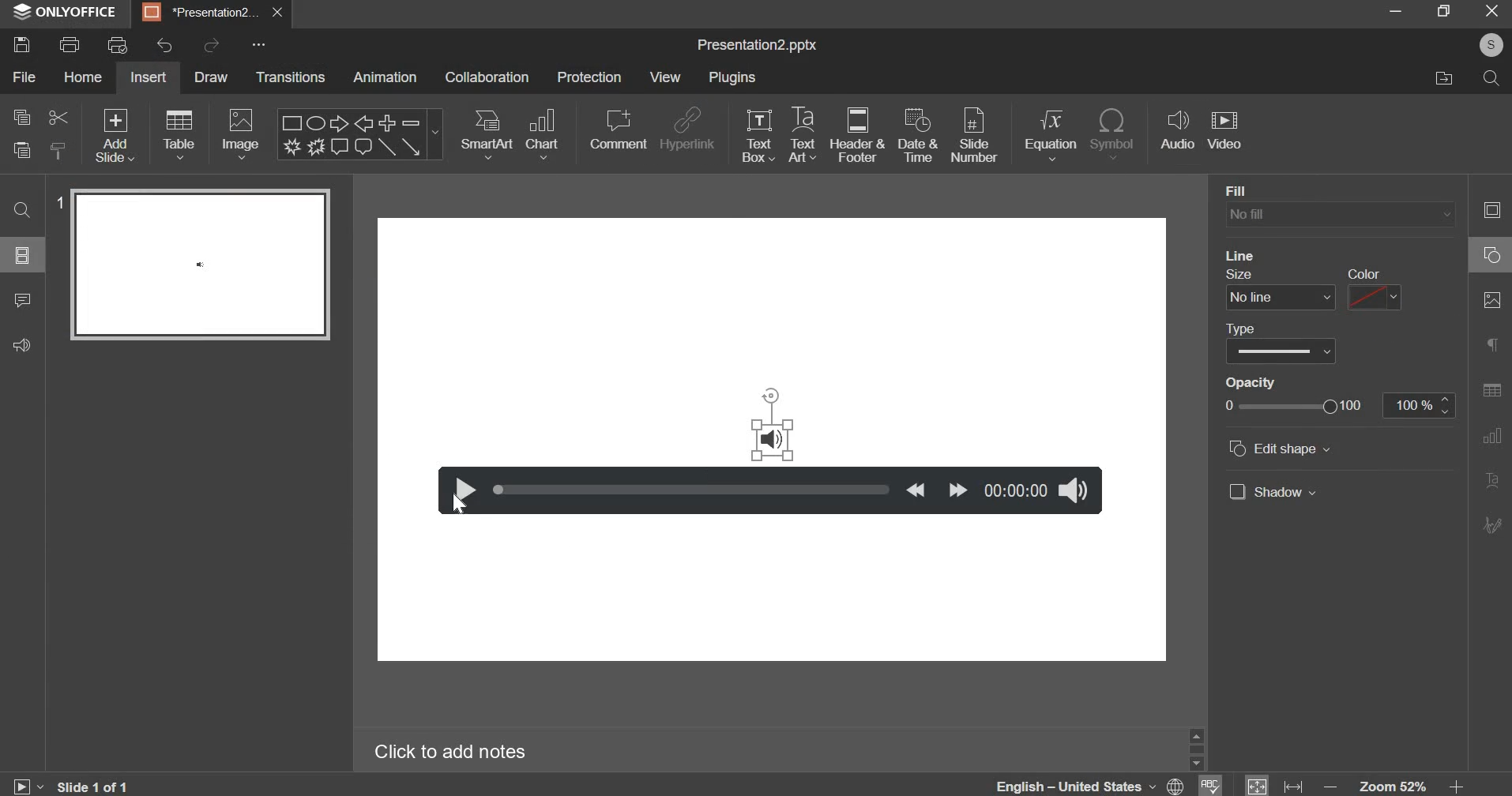  Describe the element at coordinates (70, 45) in the screenshot. I see `print` at that location.